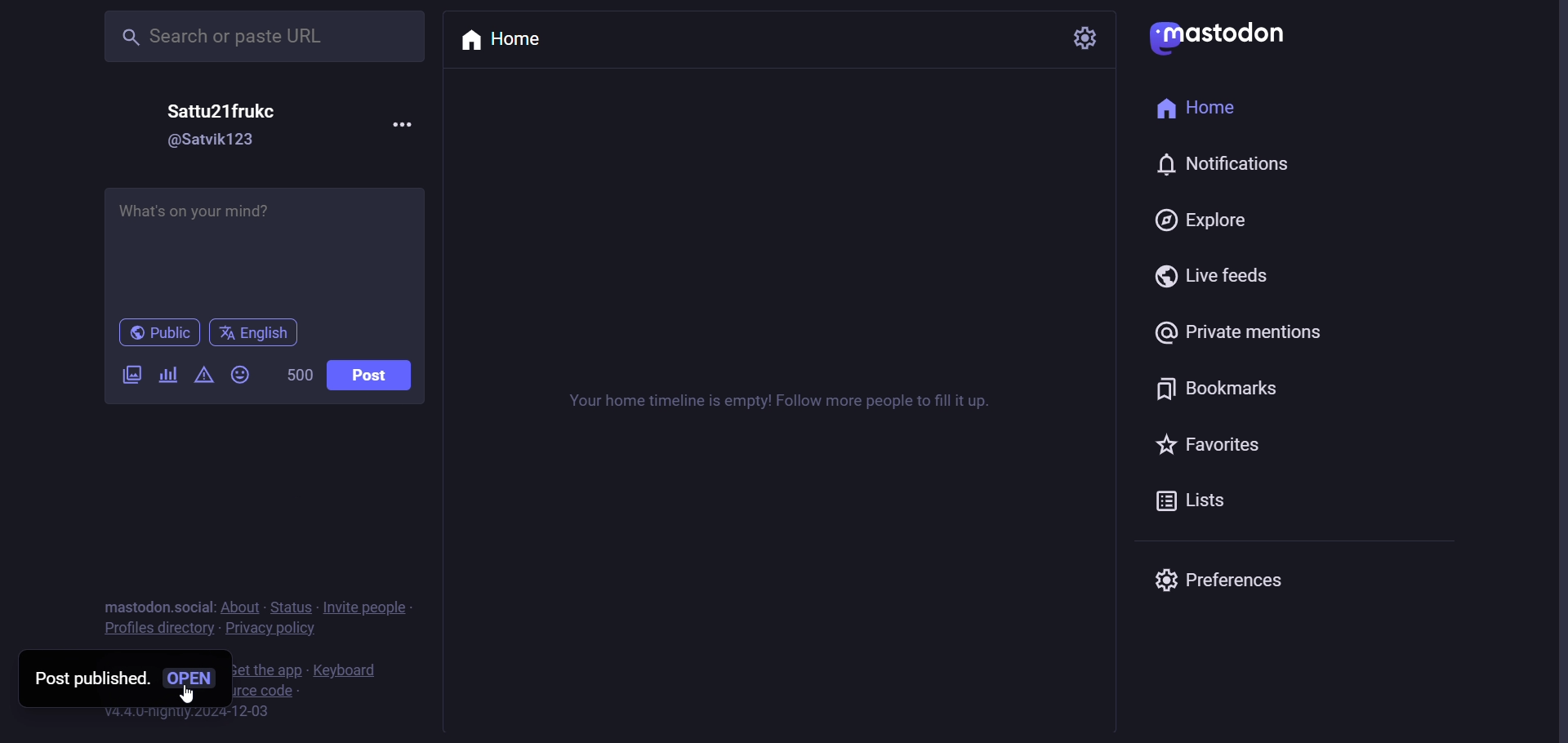 The image size is (1568, 743). I want to click on Sattu21frukc, so click(219, 110).